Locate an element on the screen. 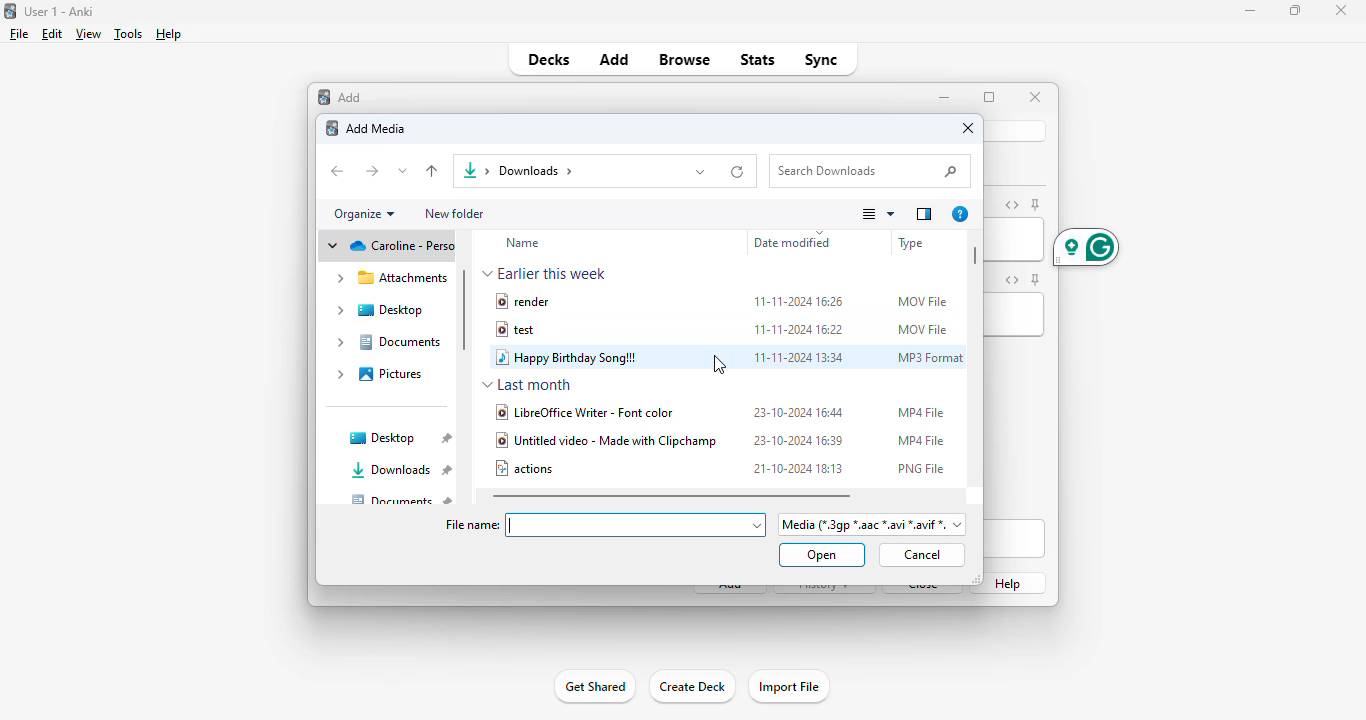 The image size is (1366, 720). add is located at coordinates (615, 60).